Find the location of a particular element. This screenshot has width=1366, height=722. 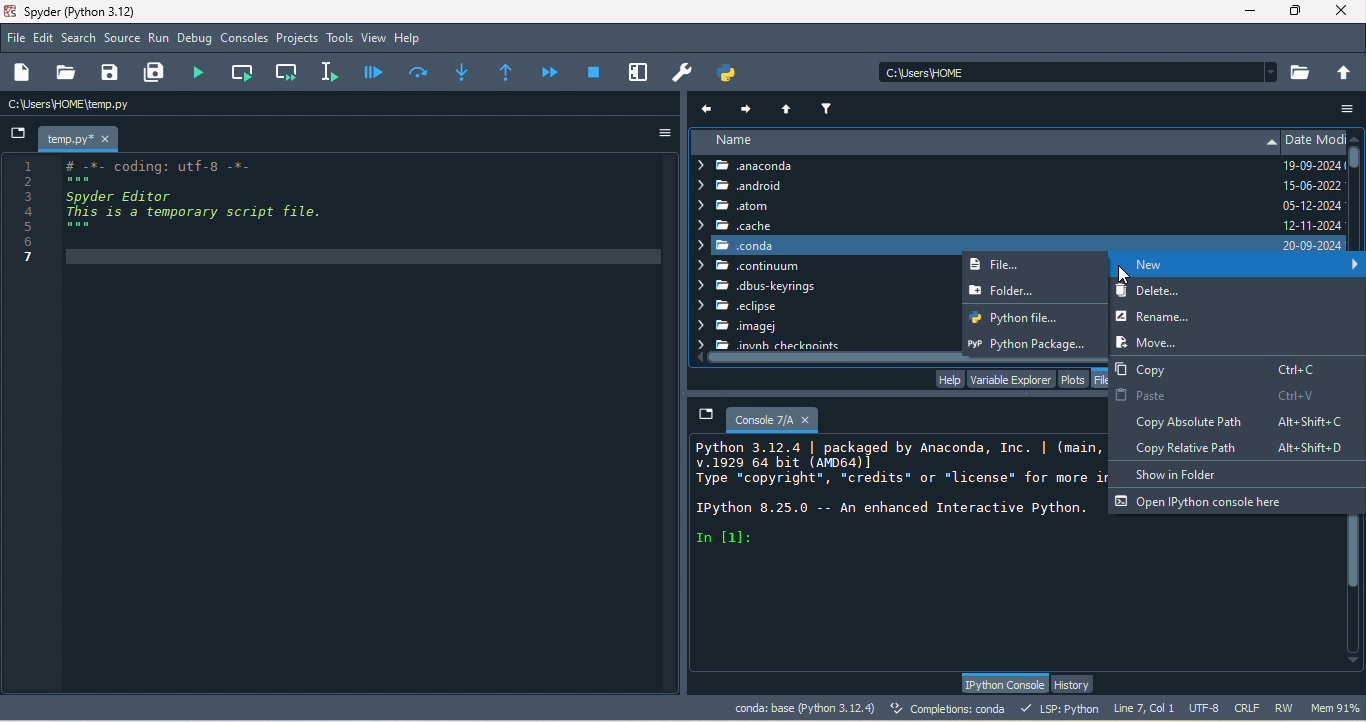

plots is located at coordinates (1074, 378).